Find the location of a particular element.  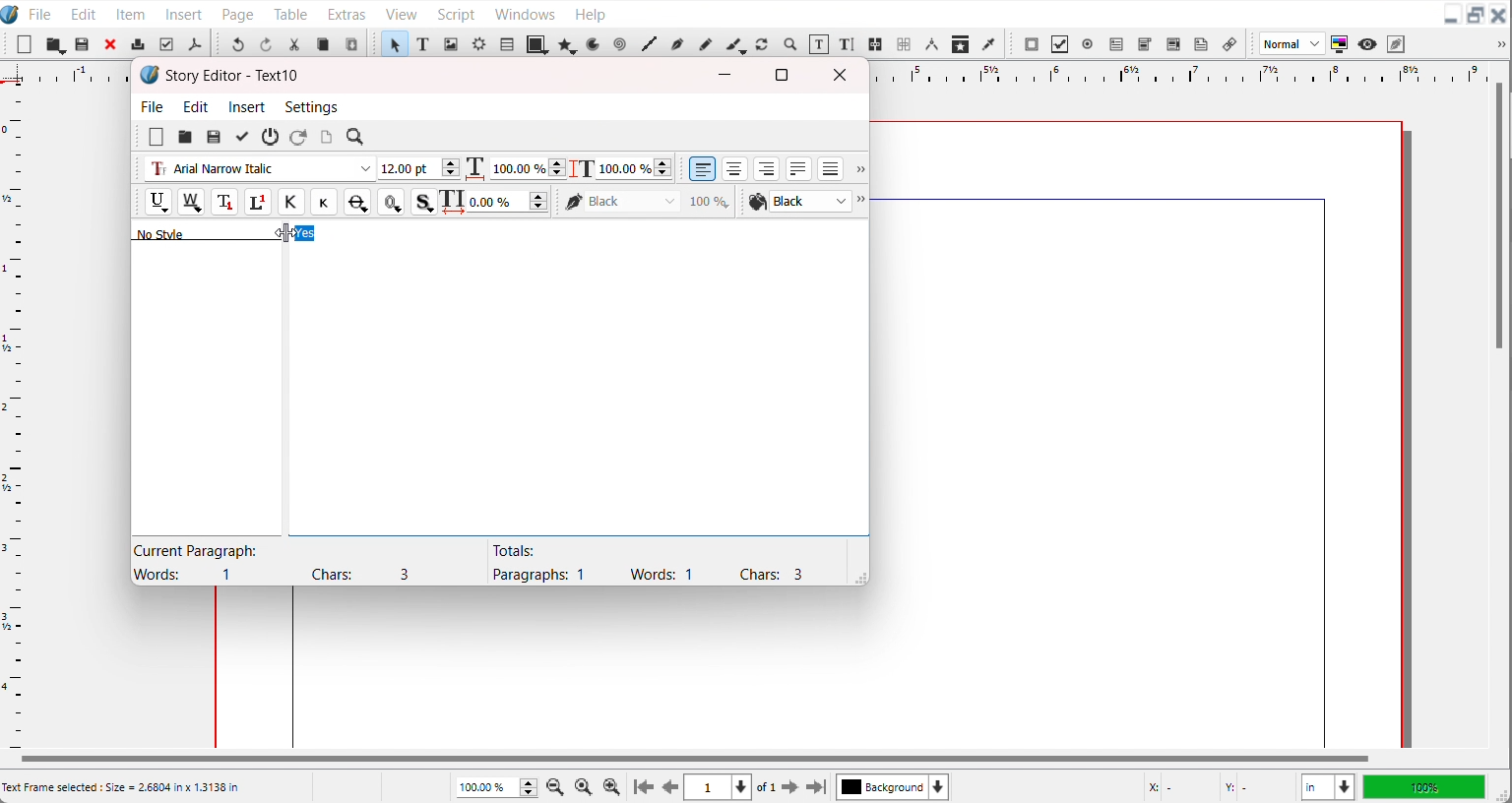

New is located at coordinates (25, 44).